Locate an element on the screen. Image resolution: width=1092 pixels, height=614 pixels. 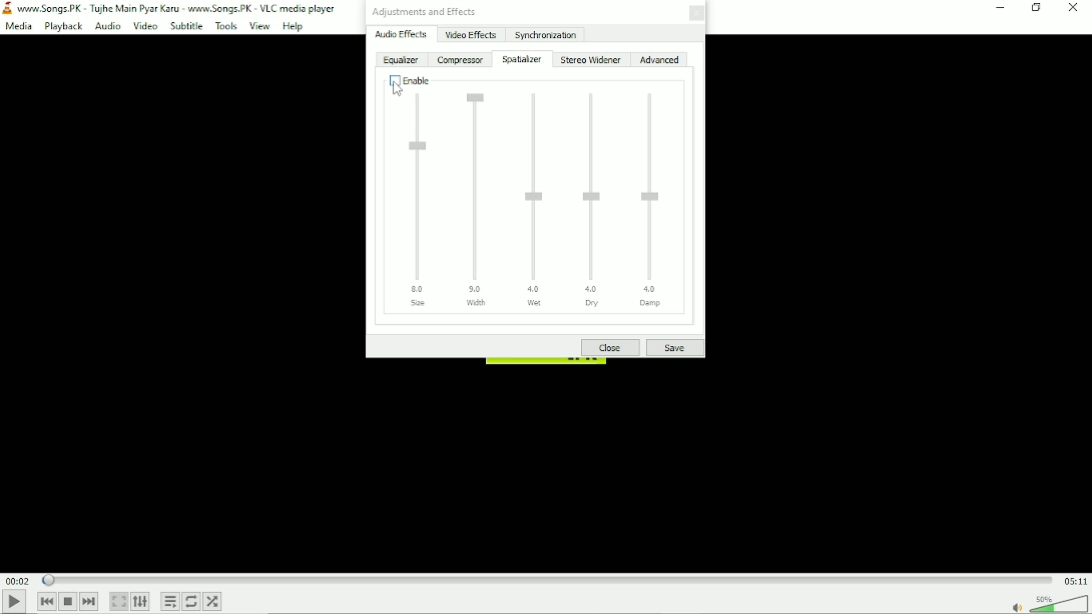
Media is located at coordinates (18, 27).